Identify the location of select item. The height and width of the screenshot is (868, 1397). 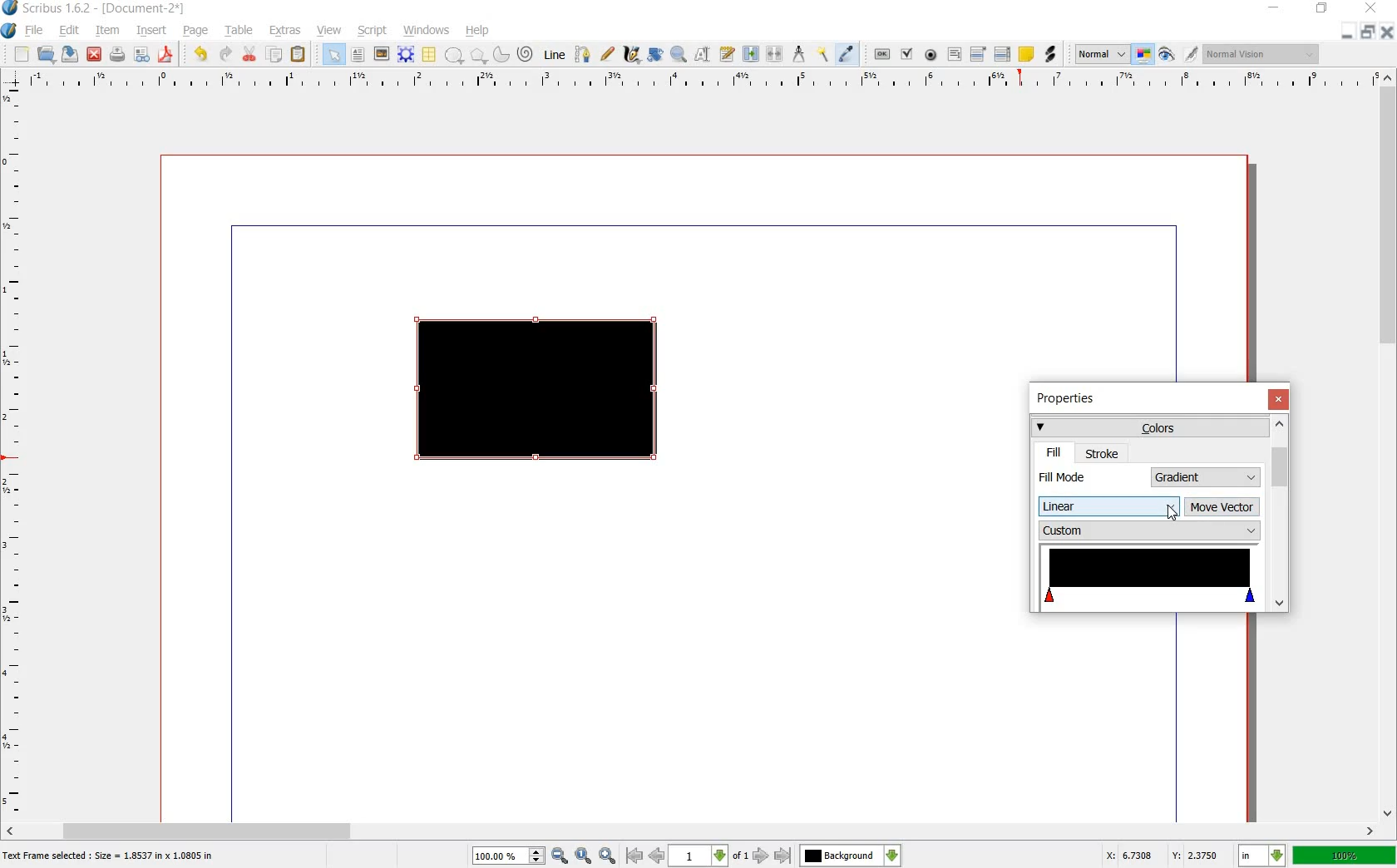
(333, 54).